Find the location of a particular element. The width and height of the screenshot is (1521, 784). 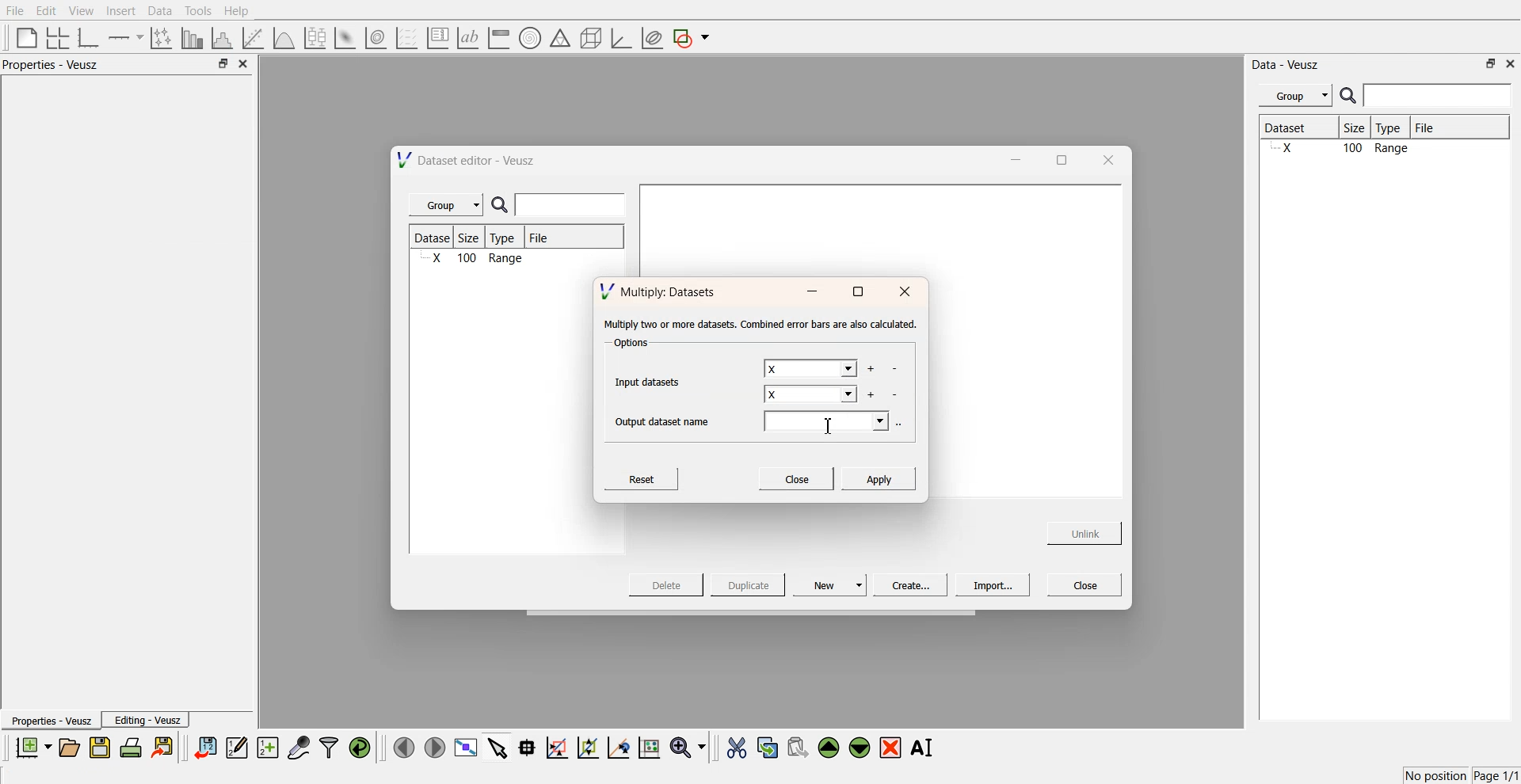

Import... is located at coordinates (993, 585).